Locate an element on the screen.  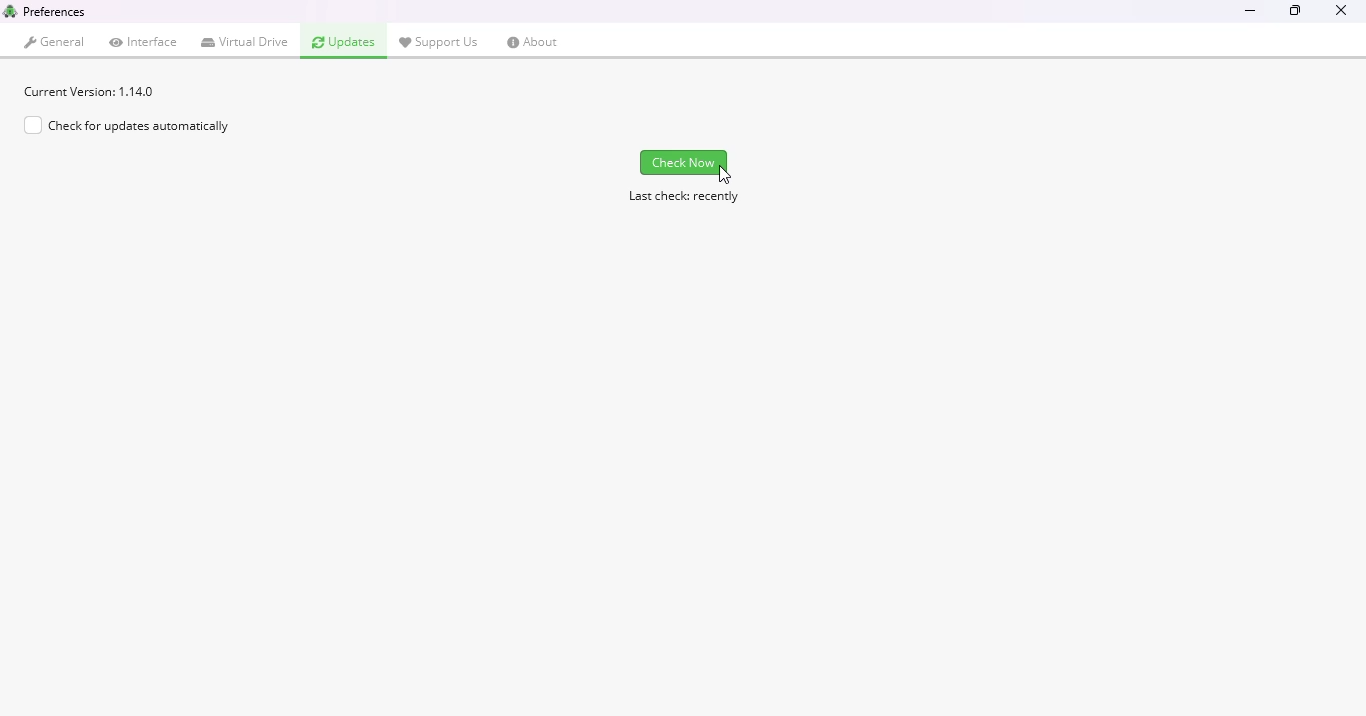
Current version: 1. 14.0 is located at coordinates (90, 91).